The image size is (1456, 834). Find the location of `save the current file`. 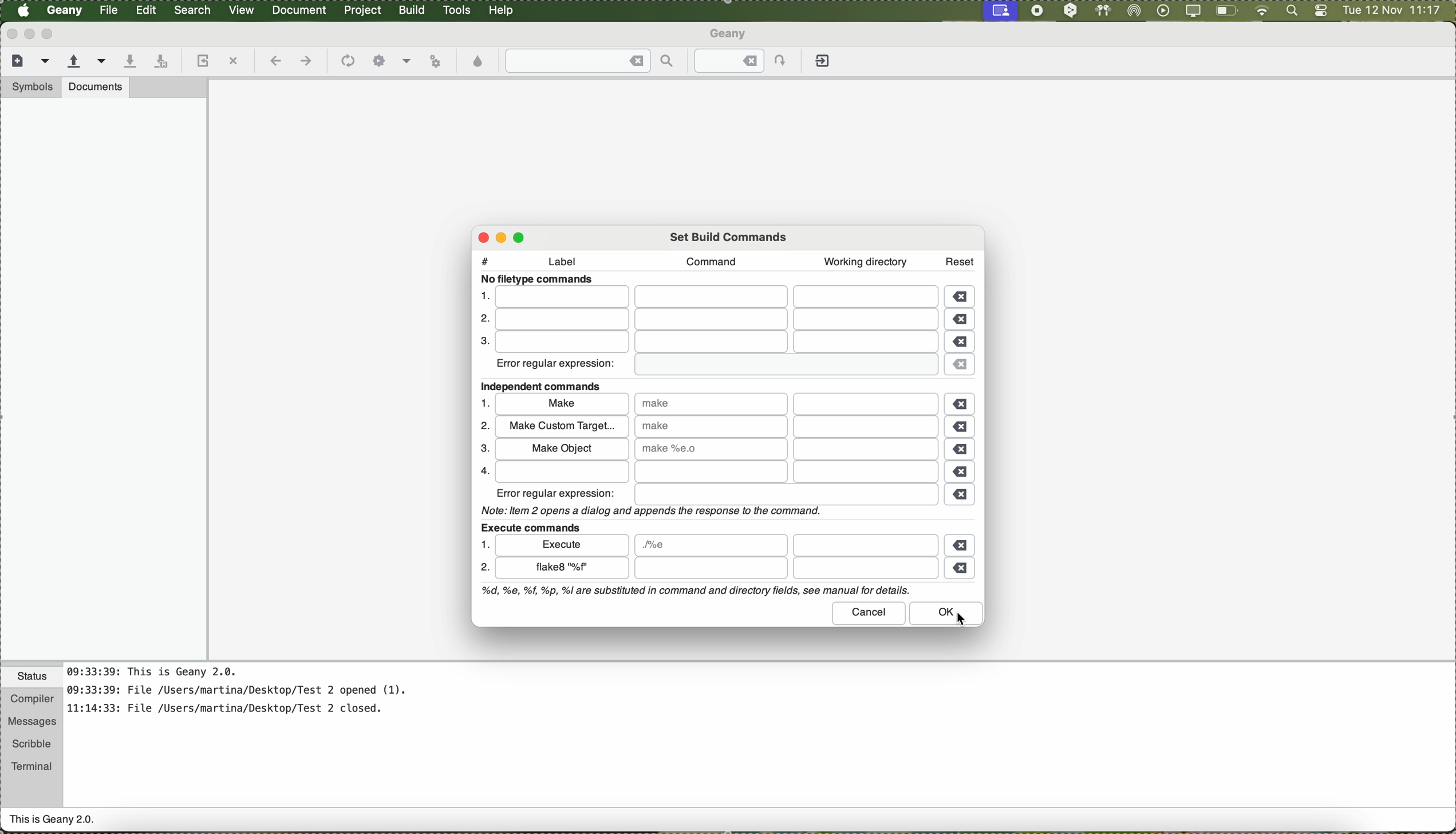

save the current file is located at coordinates (129, 62).